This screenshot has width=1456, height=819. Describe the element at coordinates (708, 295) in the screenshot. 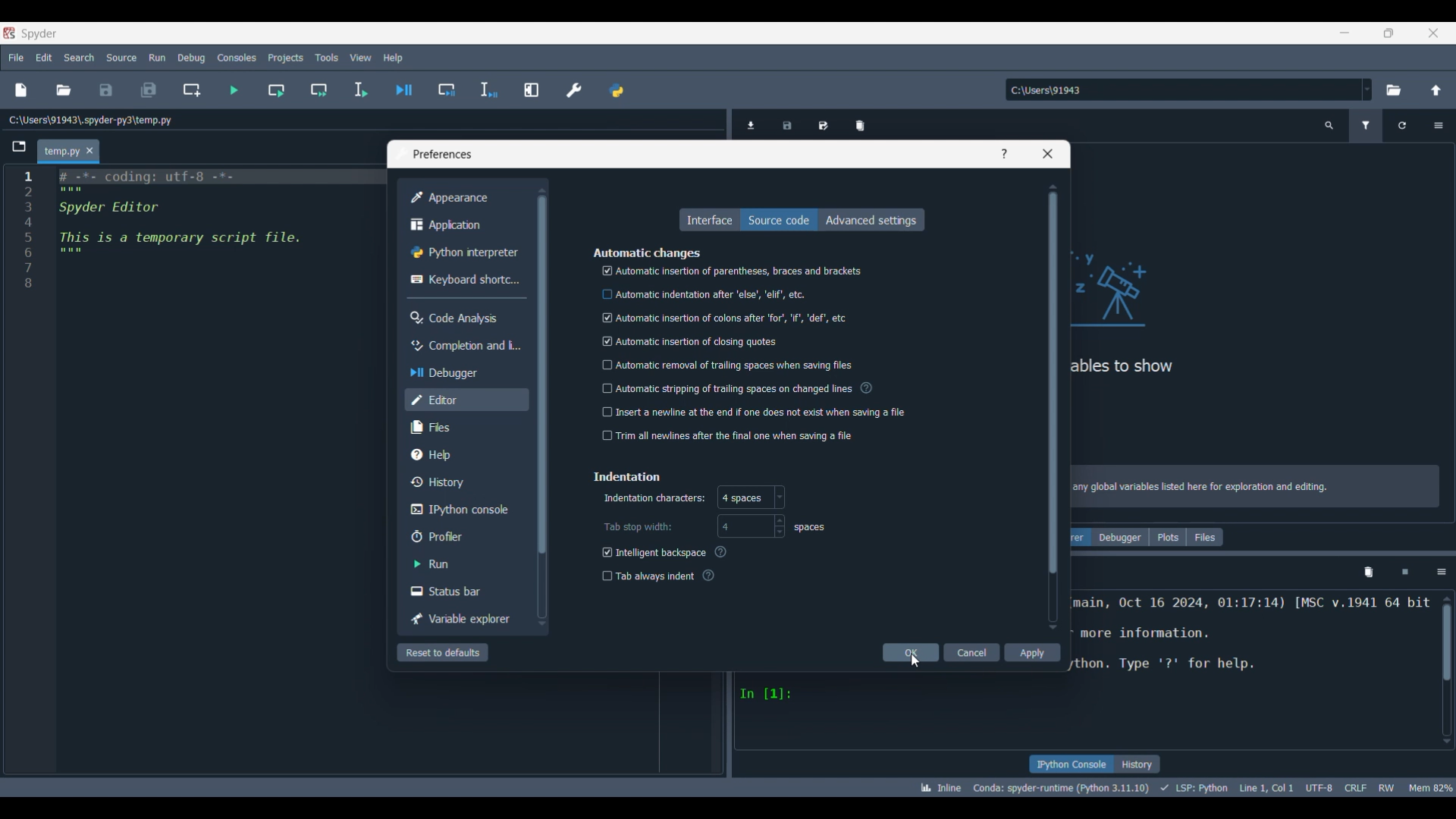

I see `Automatic indentation after ‘else’, 'elif', etc.` at that location.